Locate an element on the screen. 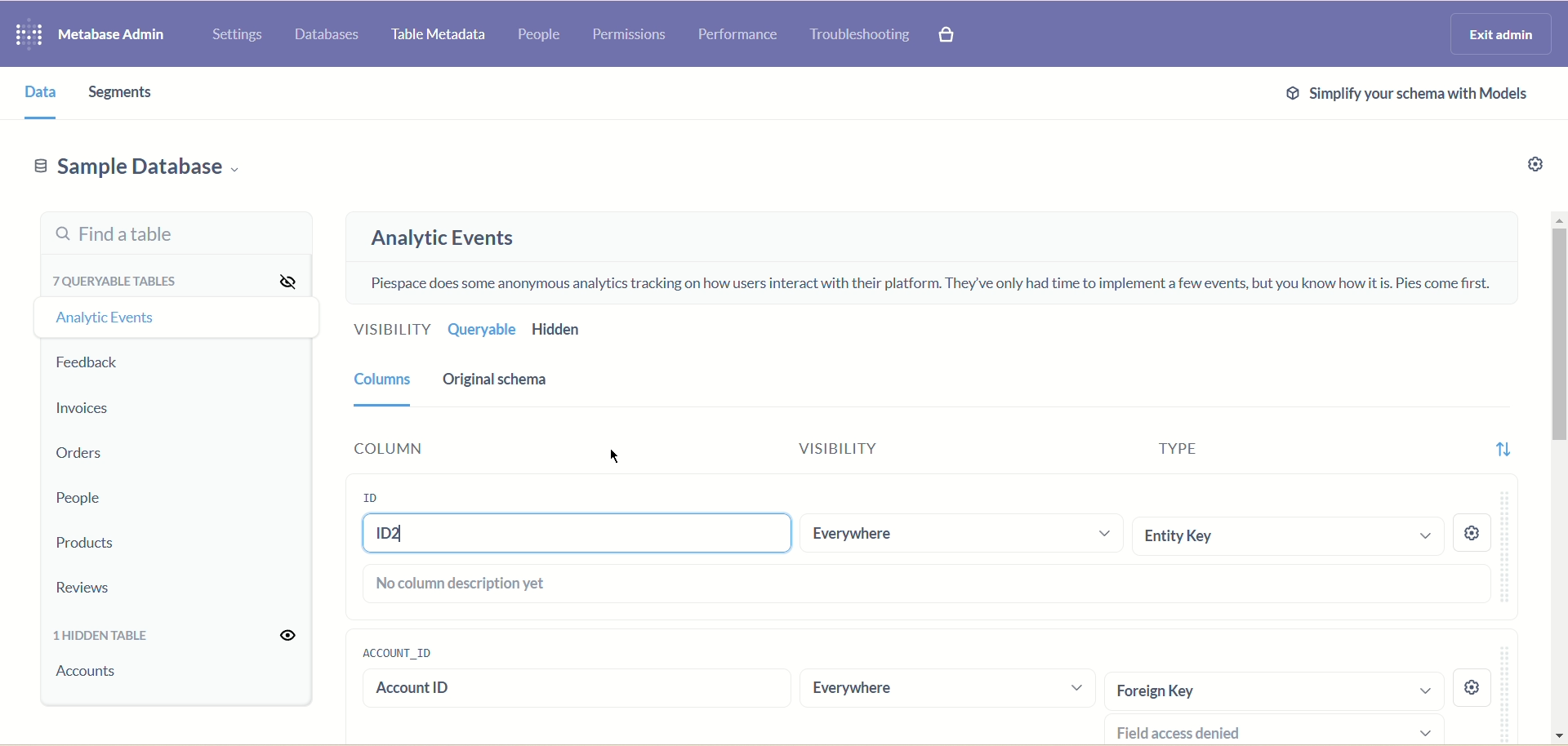 The width and height of the screenshot is (1568, 746). Segments is located at coordinates (123, 93).